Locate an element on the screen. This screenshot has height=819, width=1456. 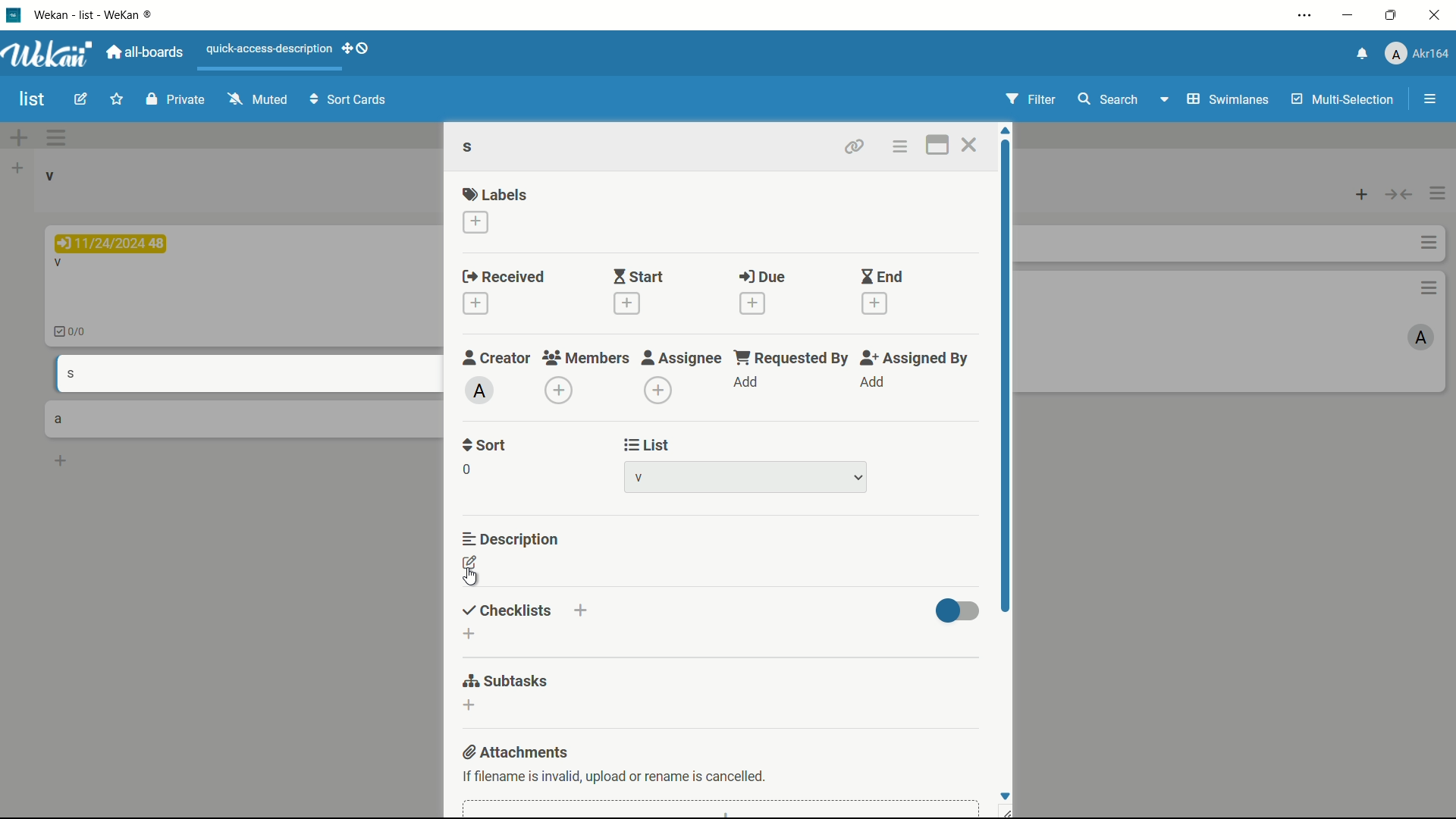
quick-access-description is located at coordinates (269, 49).